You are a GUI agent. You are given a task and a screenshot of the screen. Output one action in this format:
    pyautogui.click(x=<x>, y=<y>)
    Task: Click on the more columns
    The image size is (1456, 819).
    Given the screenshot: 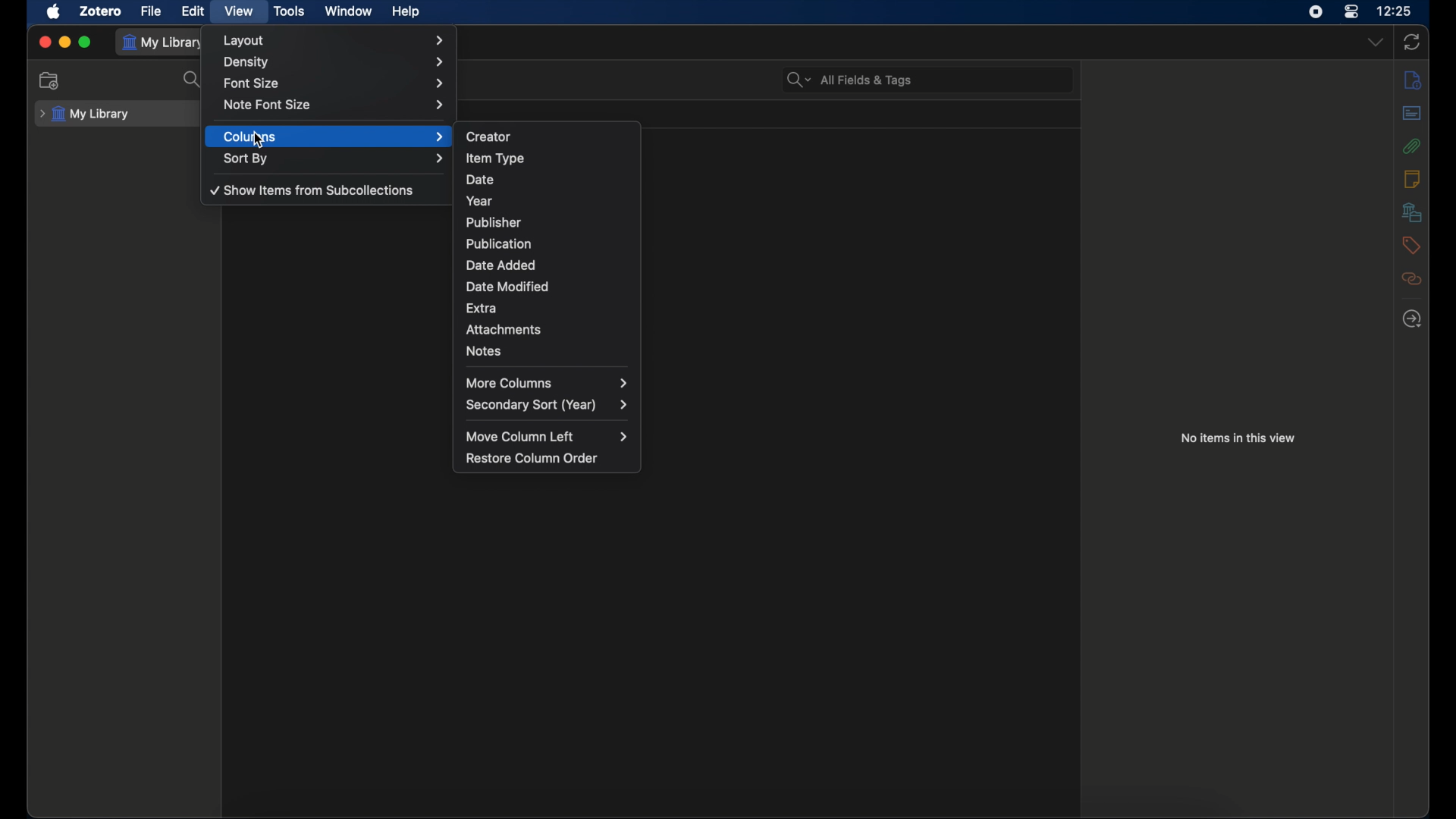 What is the action you would take?
    pyautogui.click(x=546, y=382)
    